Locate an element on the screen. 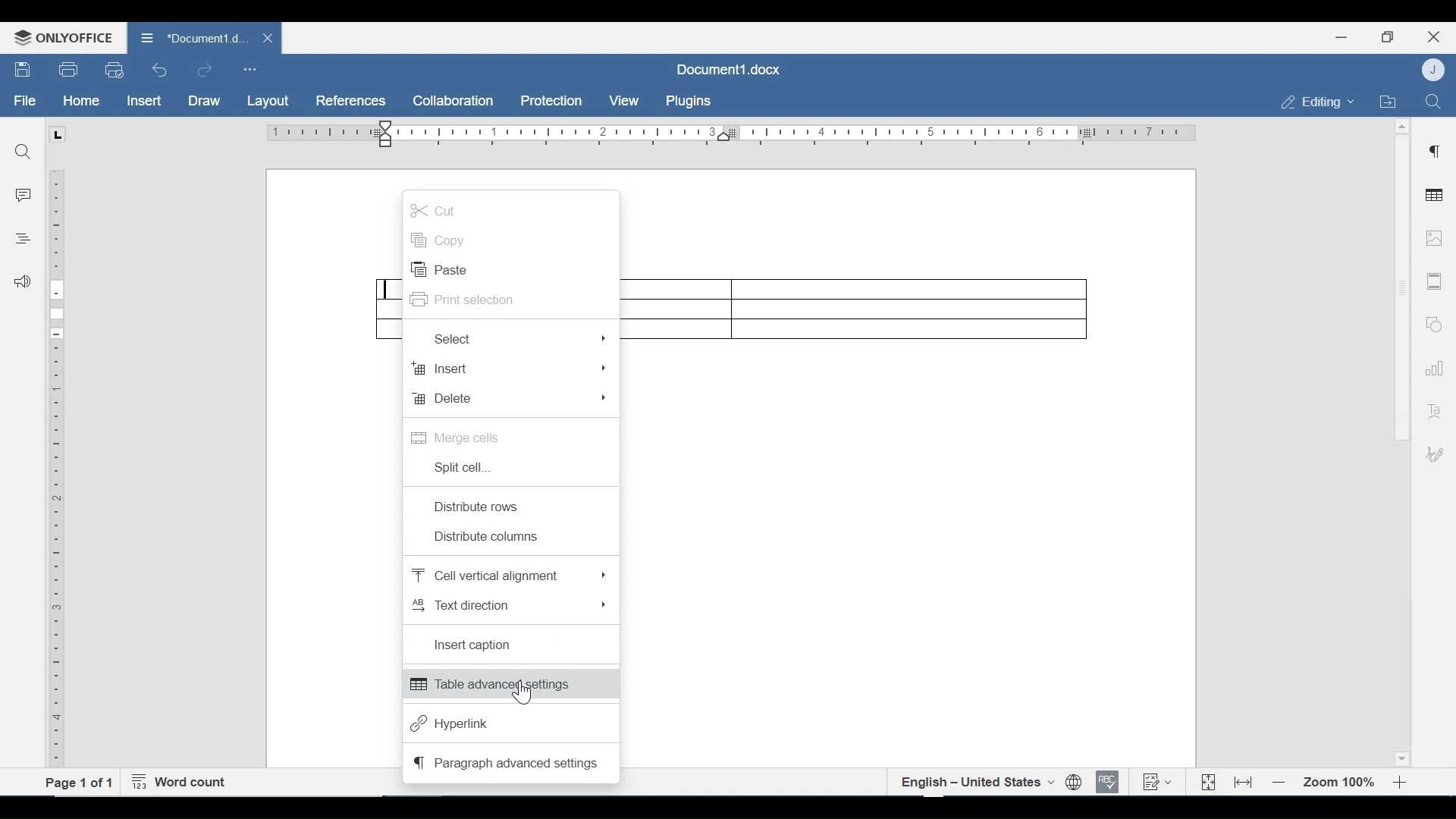 This screenshot has height=819, width=1456. Find is located at coordinates (24, 152).